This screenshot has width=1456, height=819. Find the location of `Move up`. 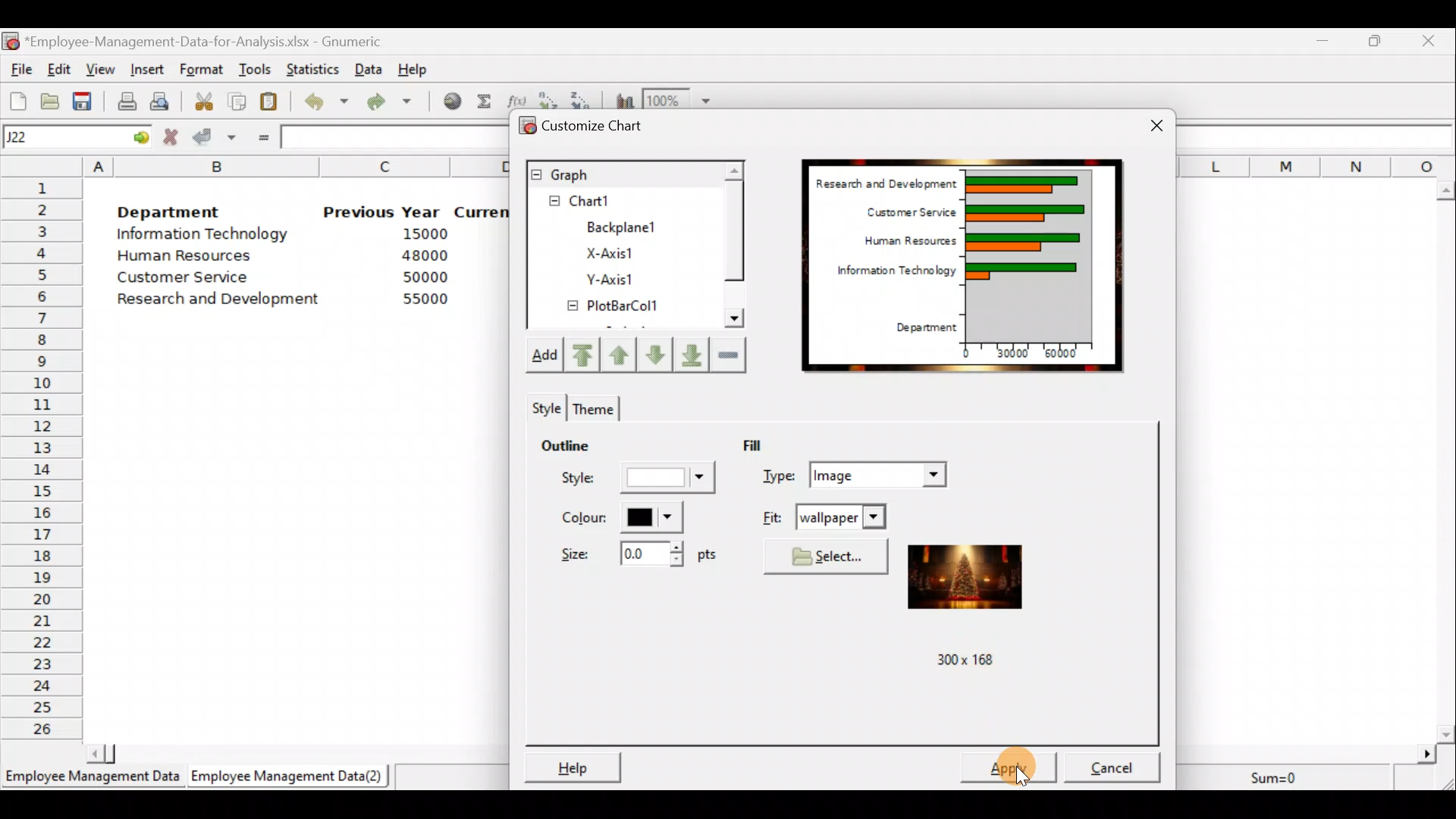

Move up is located at coordinates (652, 353).